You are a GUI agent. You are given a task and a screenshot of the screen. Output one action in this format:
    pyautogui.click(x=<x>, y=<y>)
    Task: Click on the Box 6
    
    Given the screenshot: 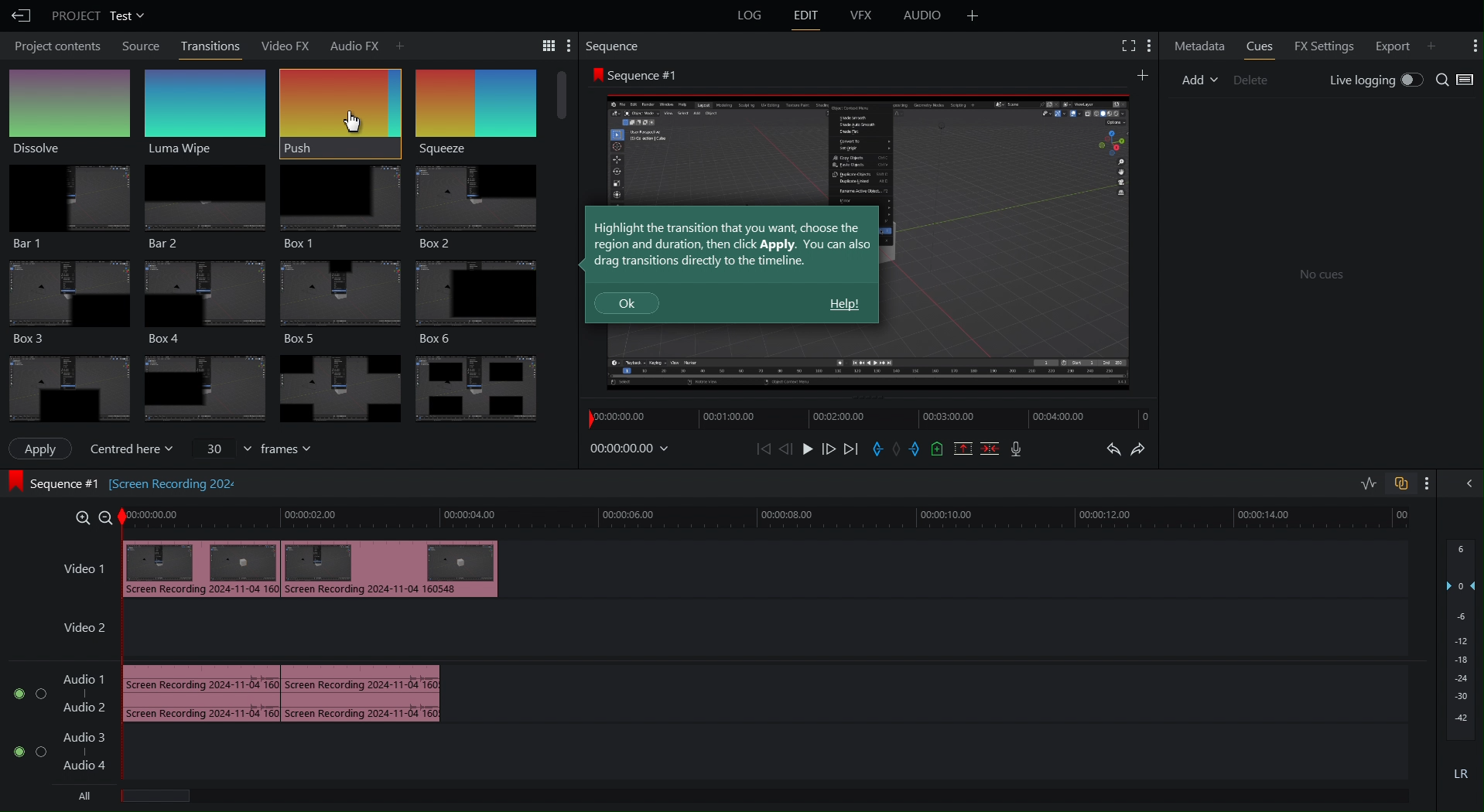 What is the action you would take?
    pyautogui.click(x=484, y=302)
    